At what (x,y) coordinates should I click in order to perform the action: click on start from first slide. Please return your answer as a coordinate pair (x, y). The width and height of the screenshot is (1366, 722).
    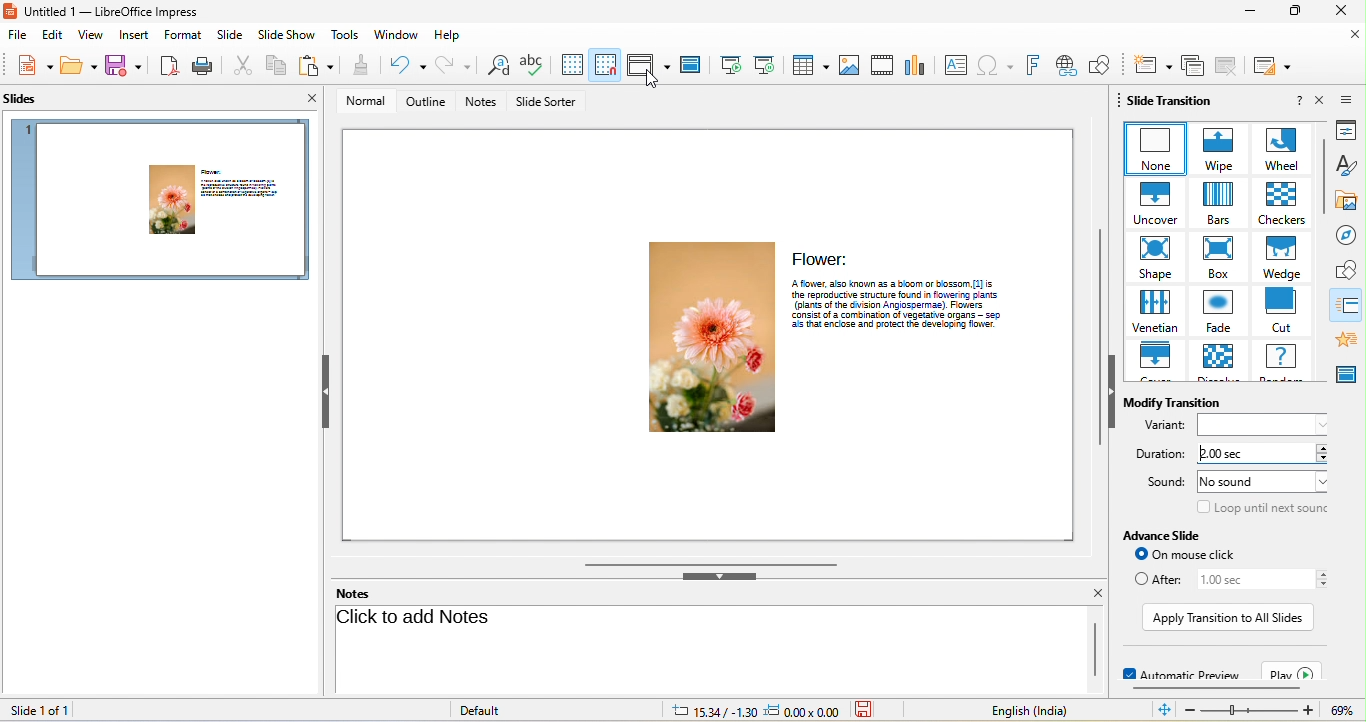
    Looking at the image, I should click on (730, 65).